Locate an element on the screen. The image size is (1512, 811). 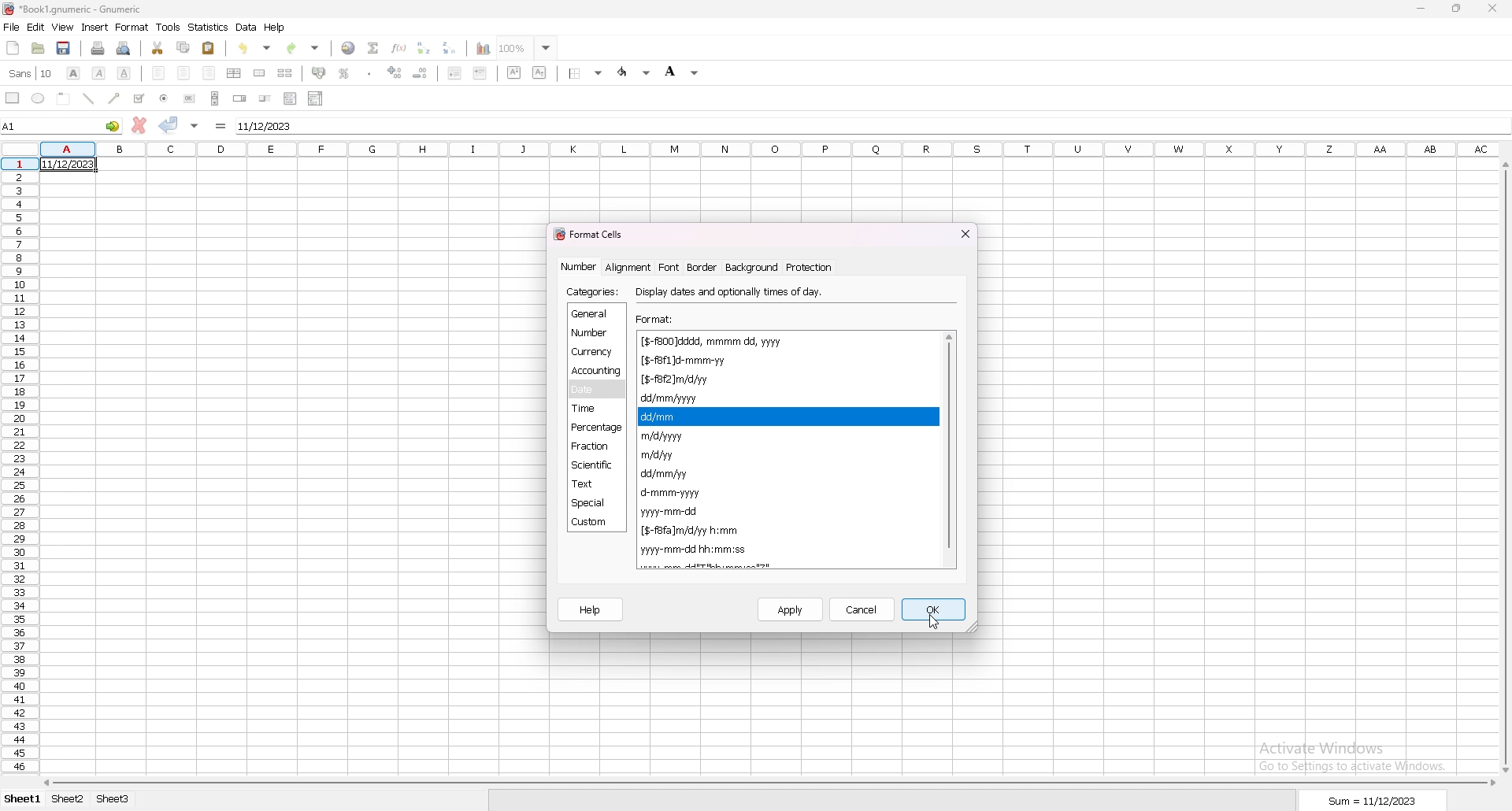
number is located at coordinates (580, 266).